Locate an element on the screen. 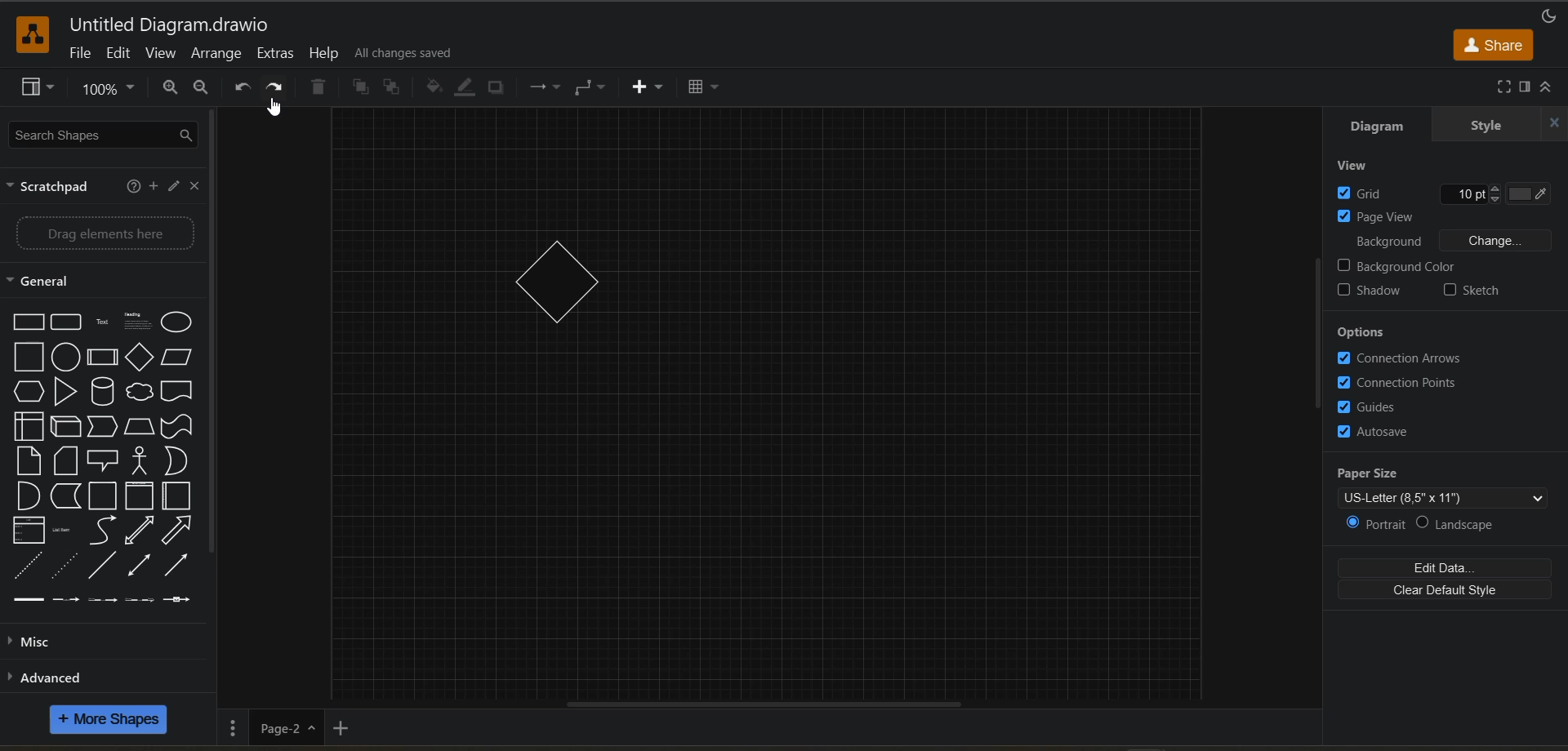  expand/collapse is located at coordinates (1544, 88).